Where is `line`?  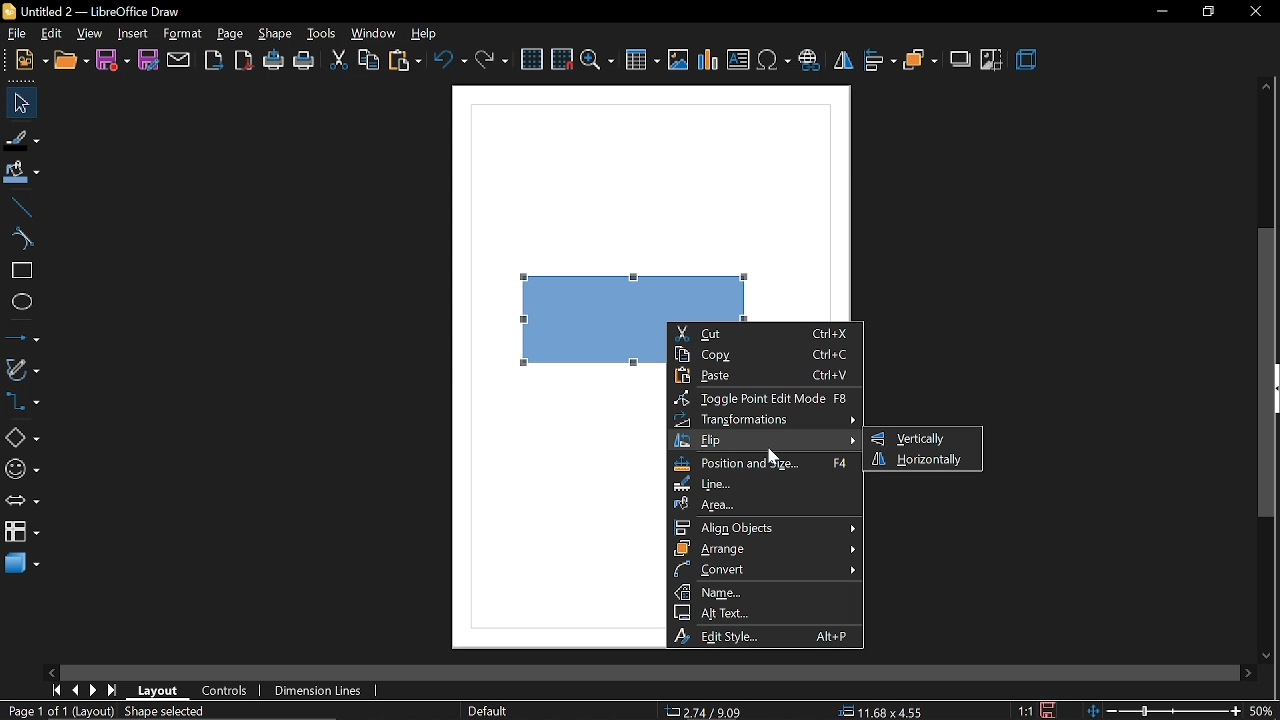
line is located at coordinates (764, 485).